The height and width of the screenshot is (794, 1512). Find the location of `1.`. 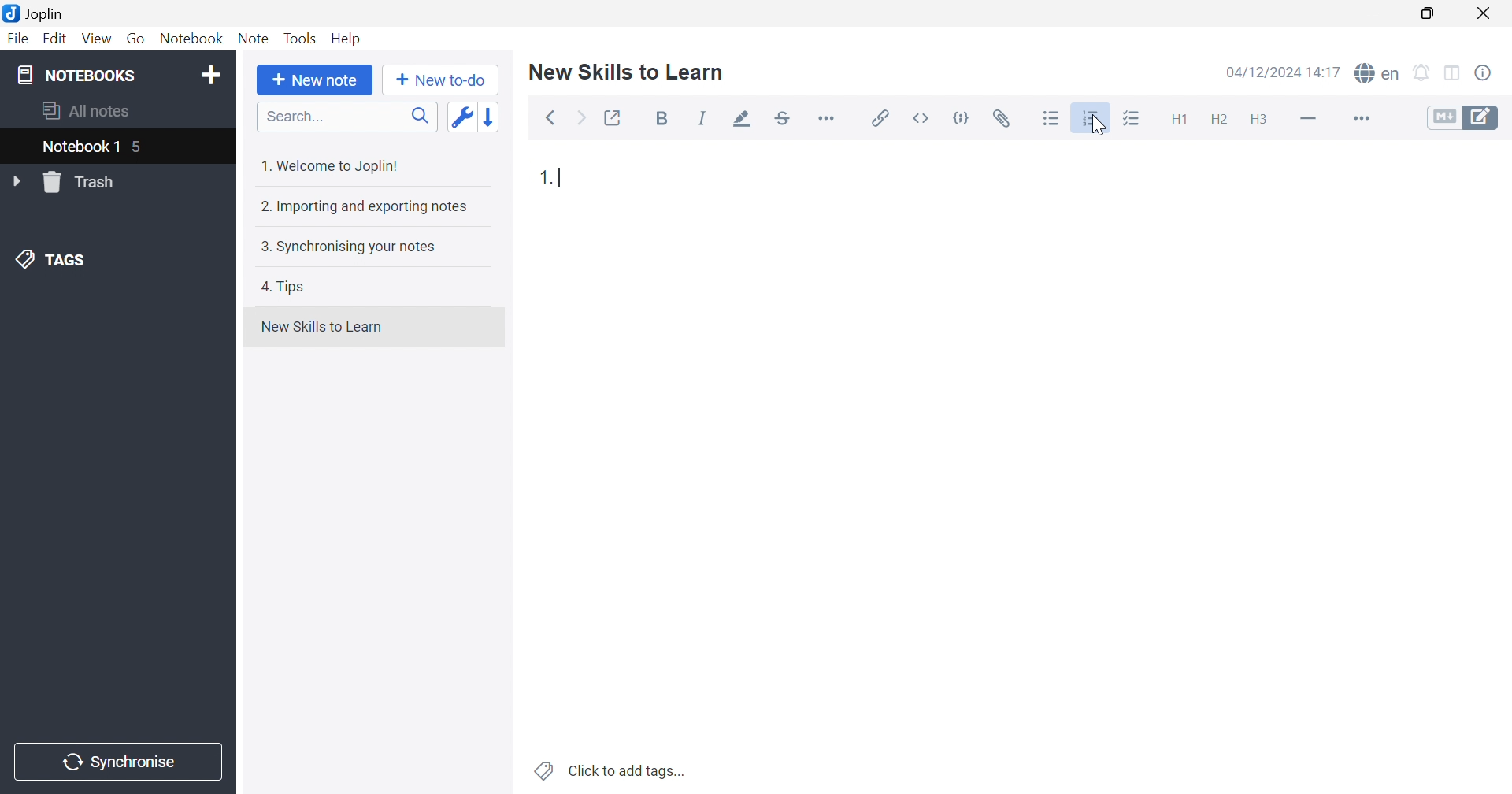

1. is located at coordinates (546, 177).